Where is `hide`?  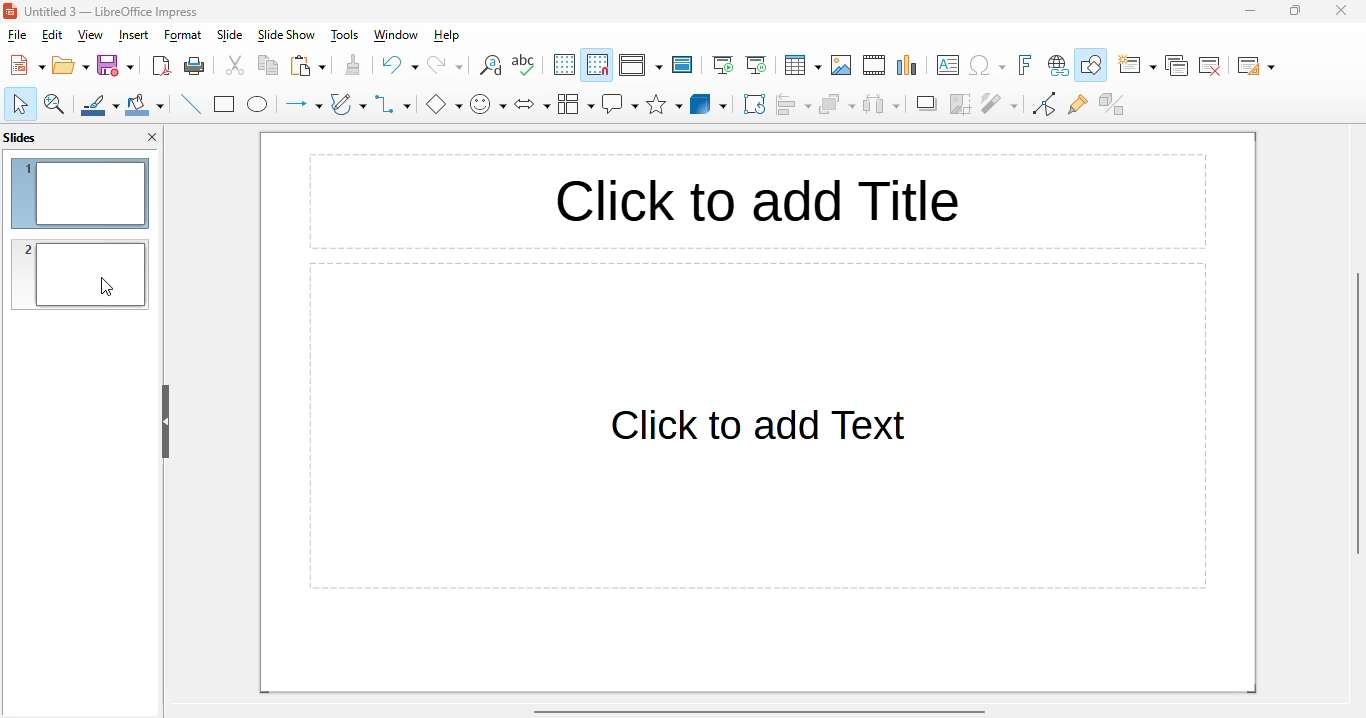 hide is located at coordinates (164, 422).